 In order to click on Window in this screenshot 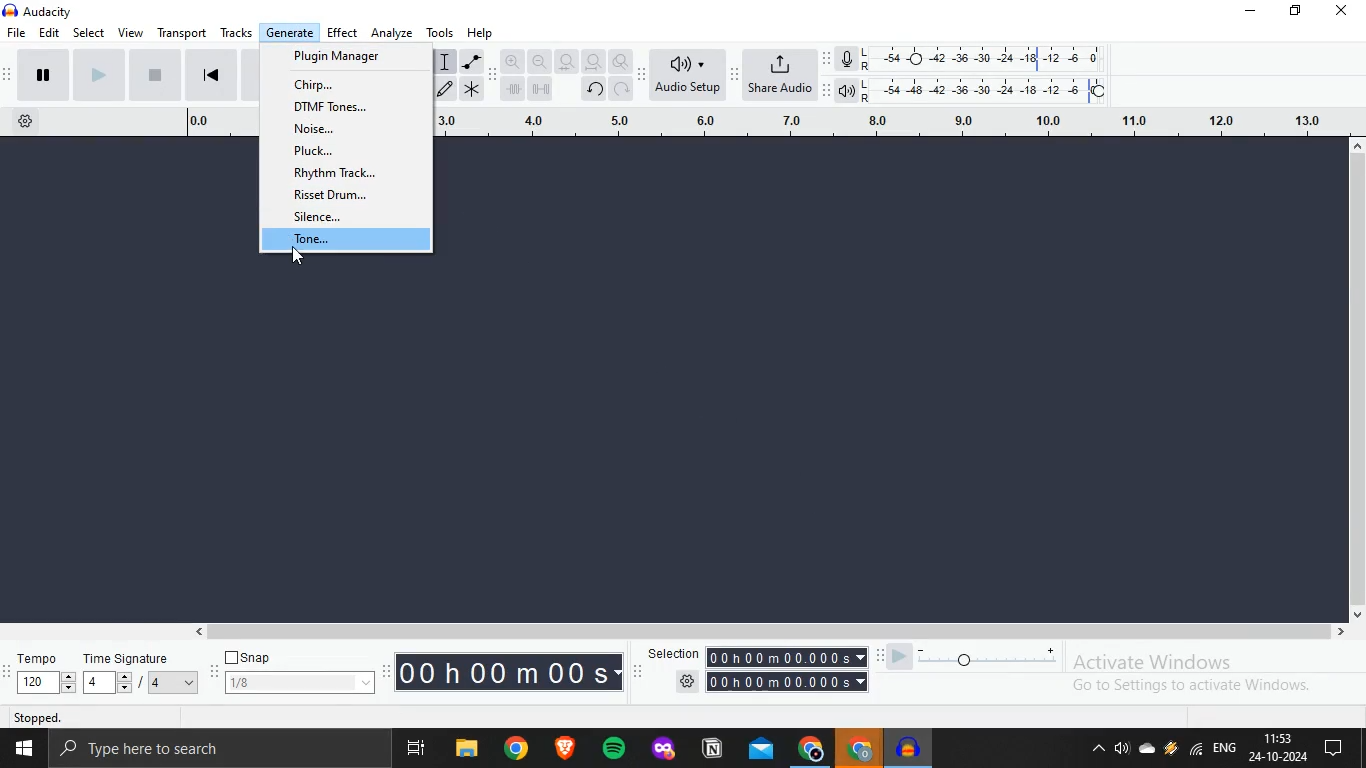, I will do `click(22, 749)`.